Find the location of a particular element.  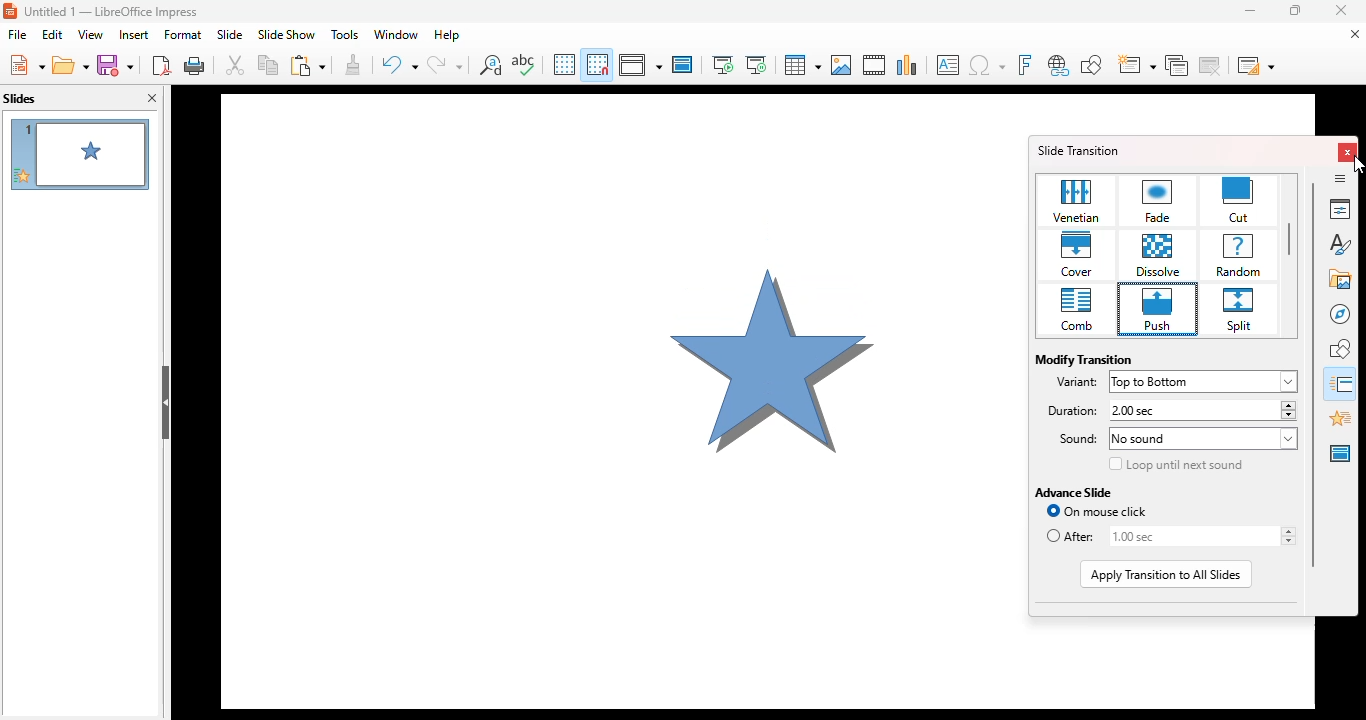

master slide is located at coordinates (683, 64).